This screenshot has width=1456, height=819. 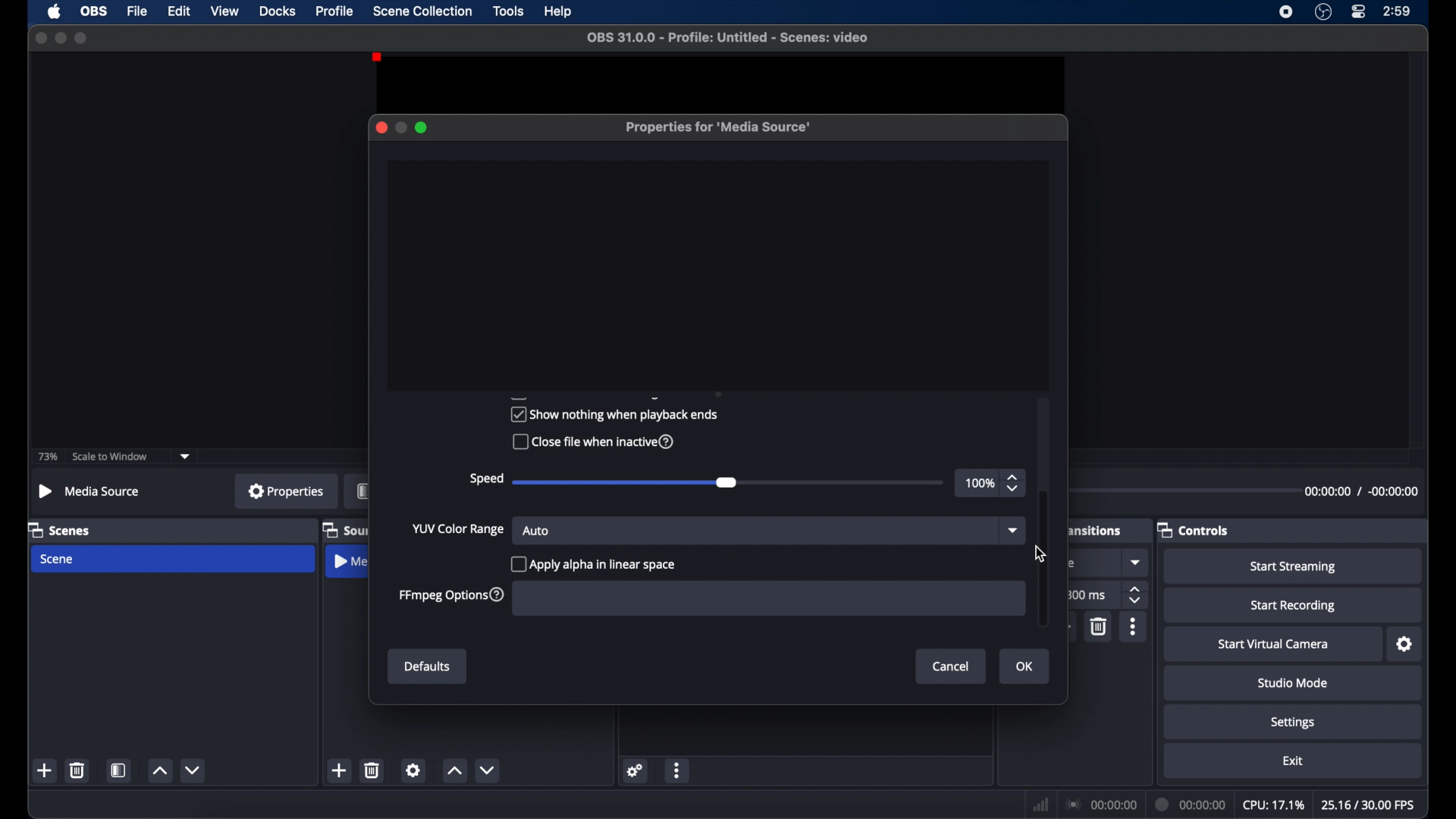 I want to click on slider, so click(x=728, y=483).